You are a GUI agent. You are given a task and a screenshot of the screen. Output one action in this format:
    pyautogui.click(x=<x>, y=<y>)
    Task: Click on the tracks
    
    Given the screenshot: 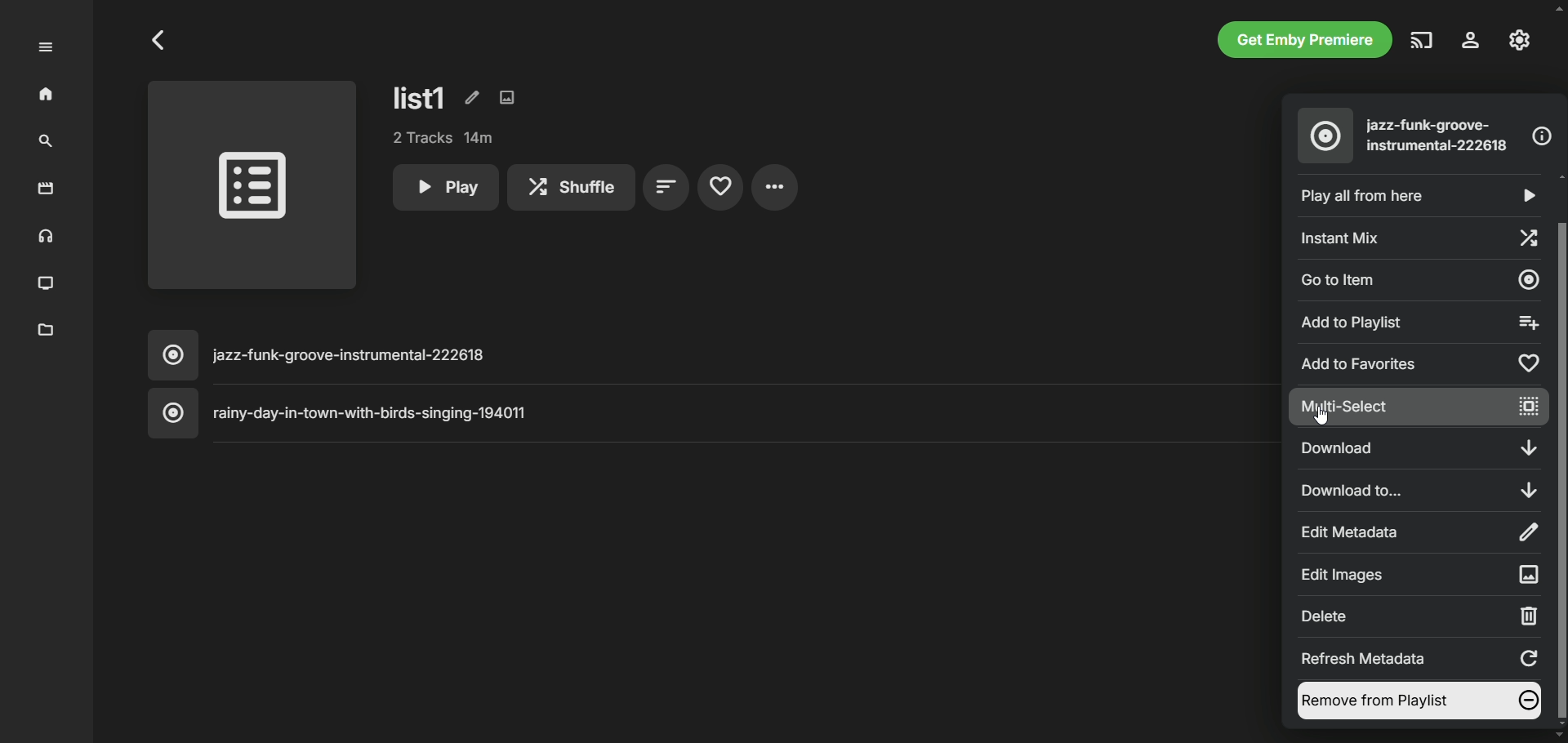 What is the action you would take?
    pyautogui.click(x=444, y=138)
    